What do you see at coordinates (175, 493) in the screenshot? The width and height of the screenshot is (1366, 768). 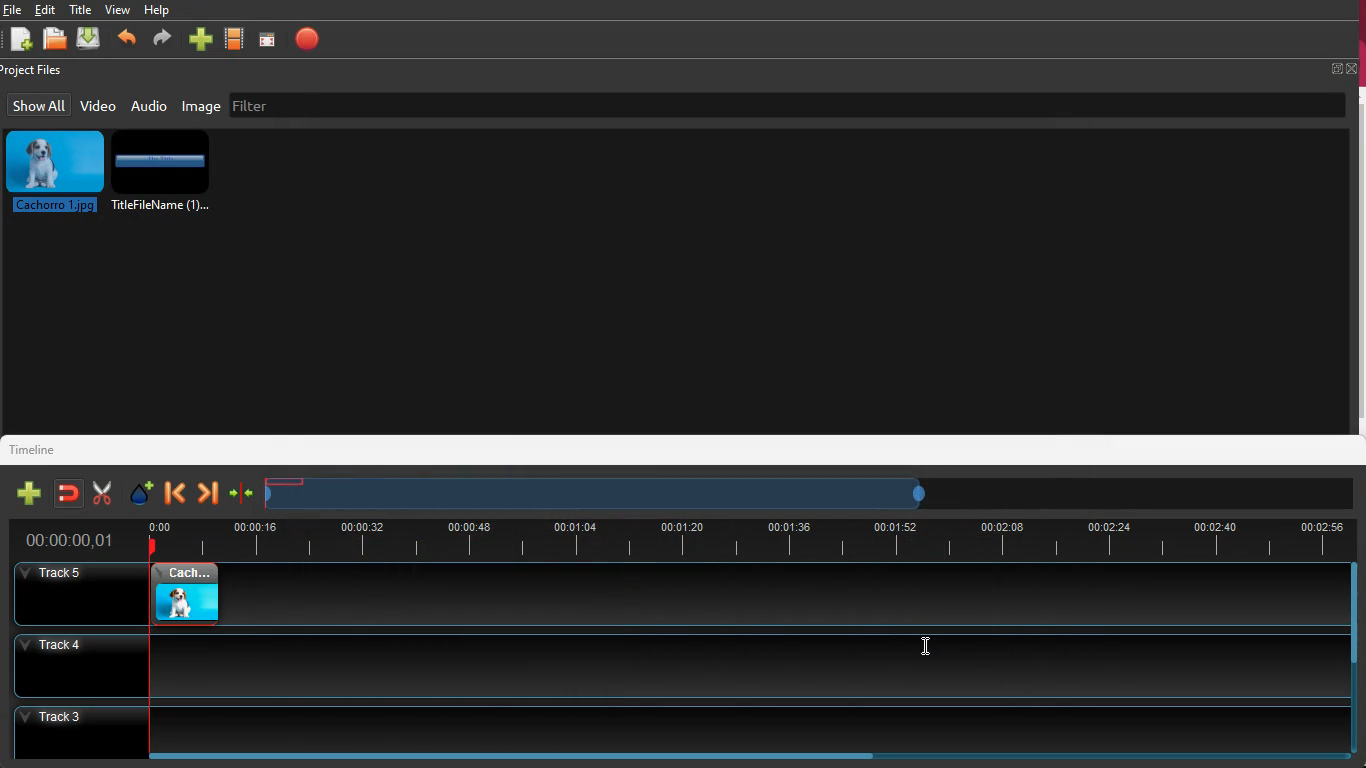 I see `back` at bounding box center [175, 493].